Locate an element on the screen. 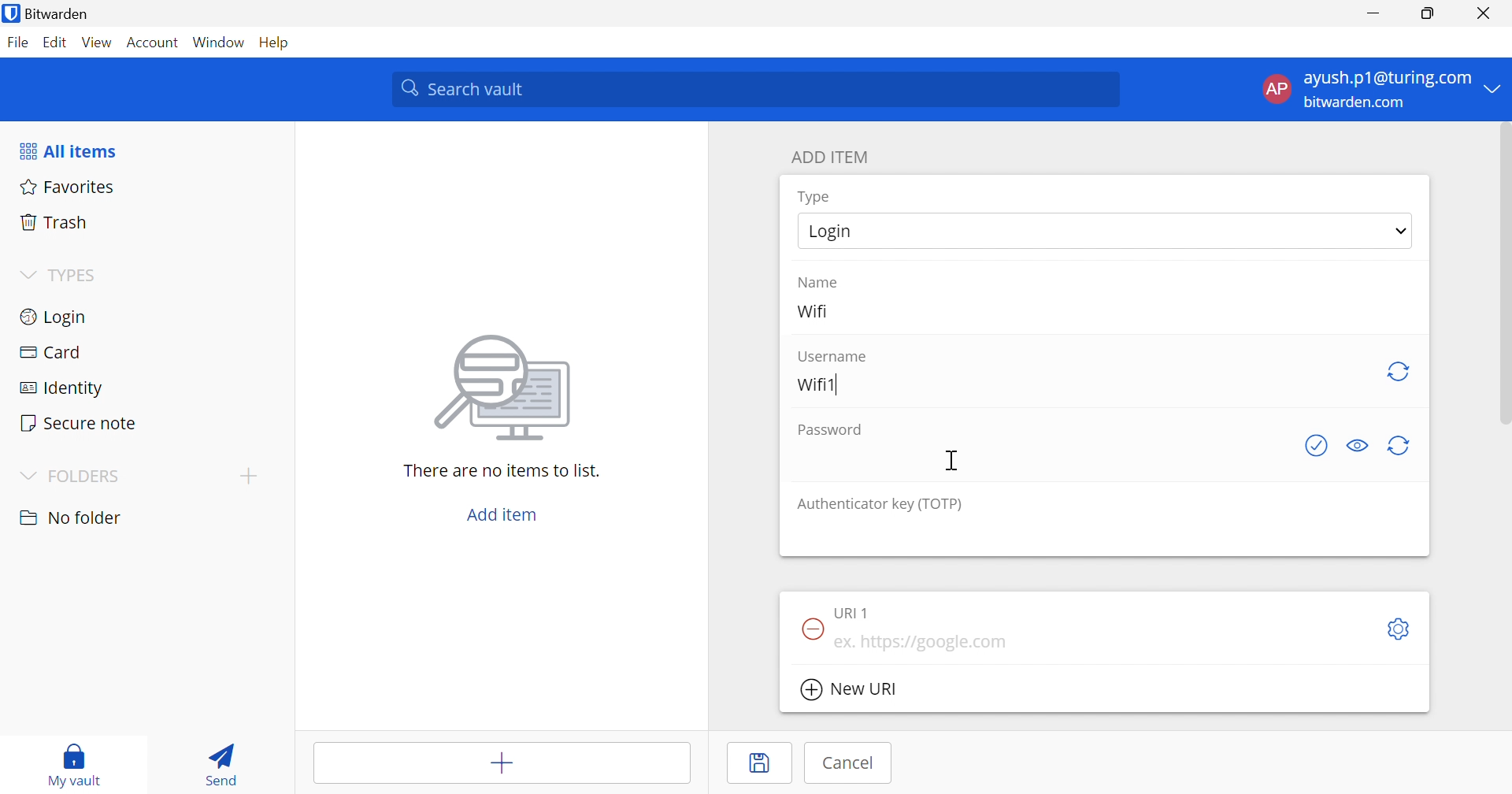 The image size is (1512, 794). All items is located at coordinates (67, 151).